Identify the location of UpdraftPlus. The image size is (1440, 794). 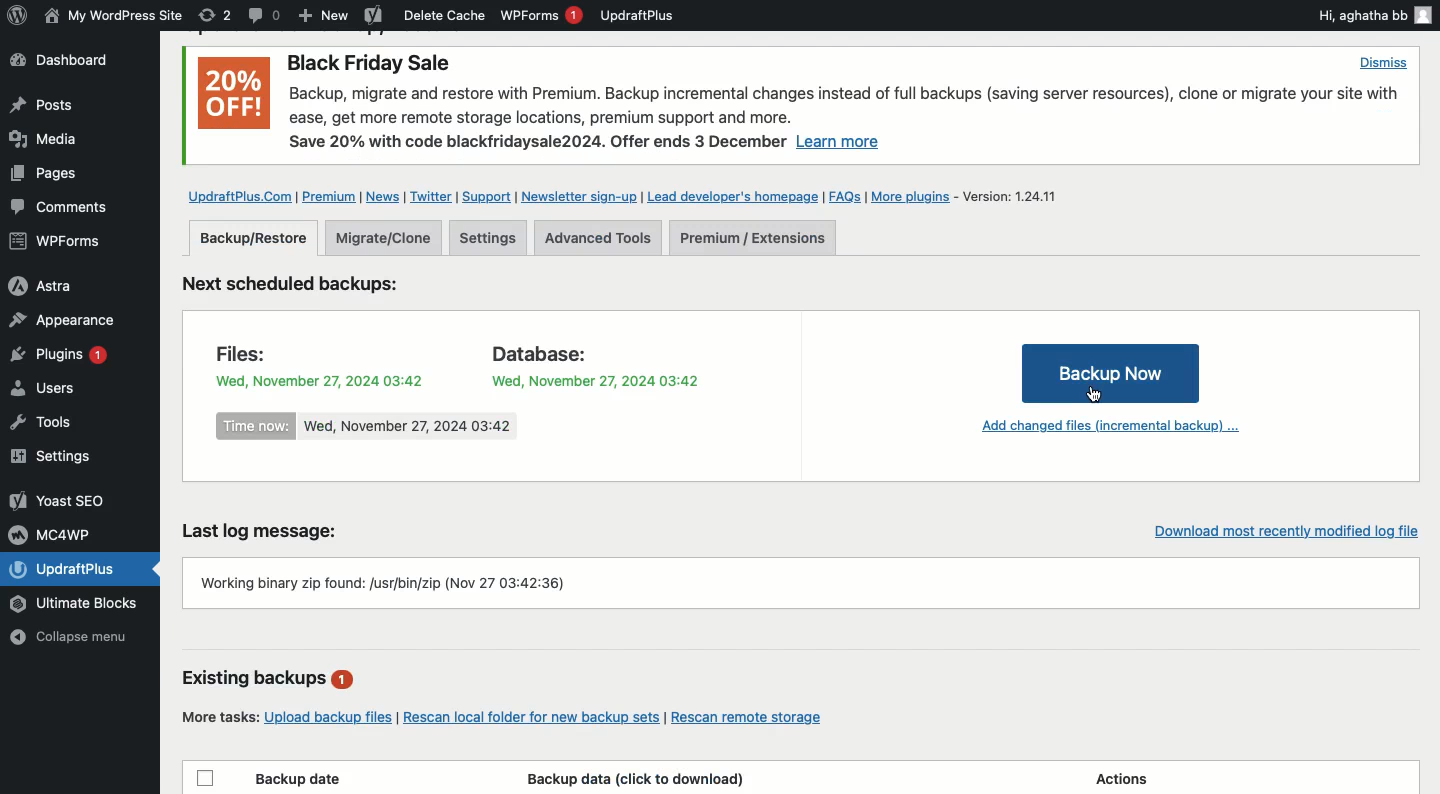
(83, 569).